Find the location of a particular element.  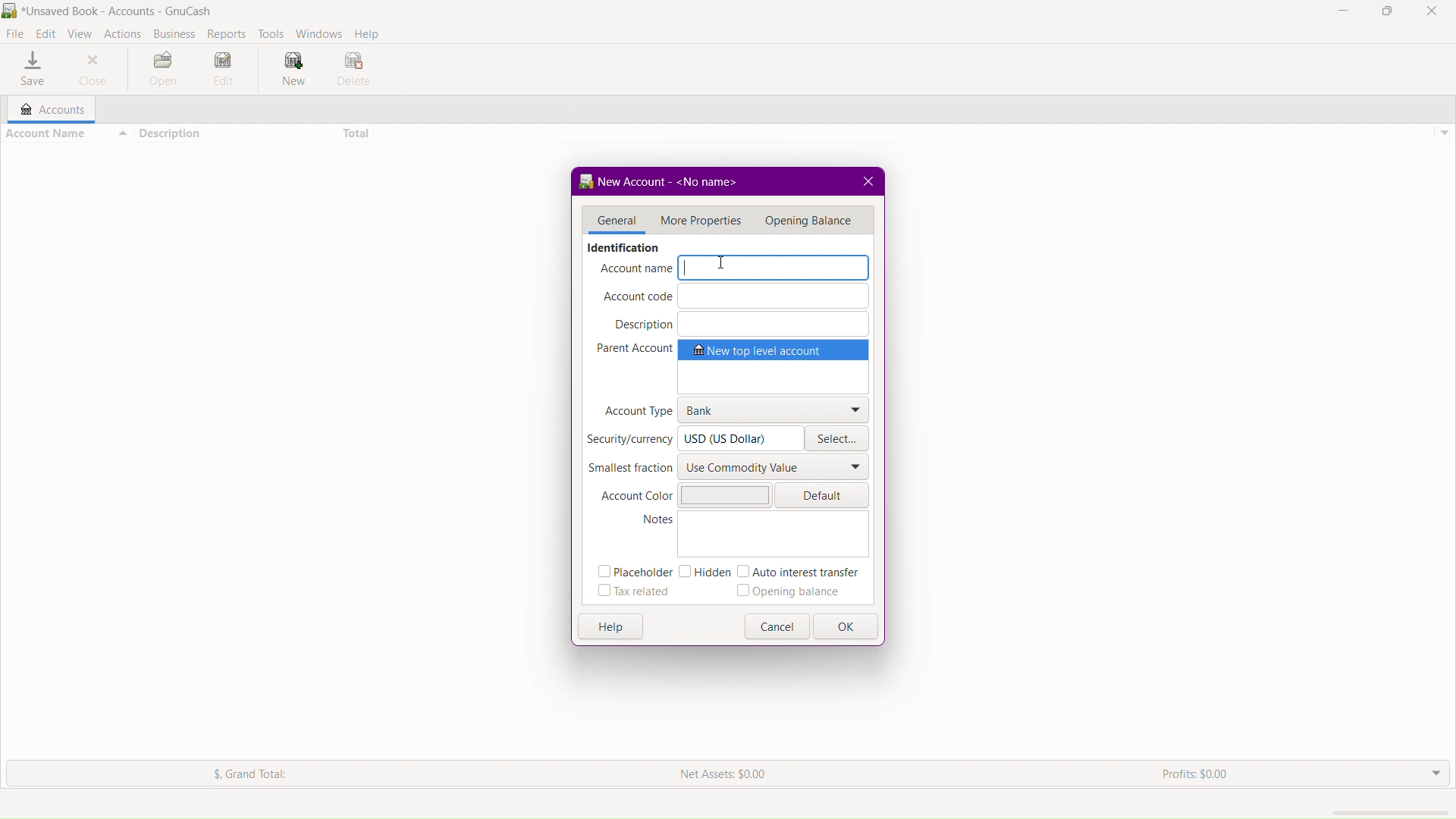

Total is located at coordinates (334, 134).